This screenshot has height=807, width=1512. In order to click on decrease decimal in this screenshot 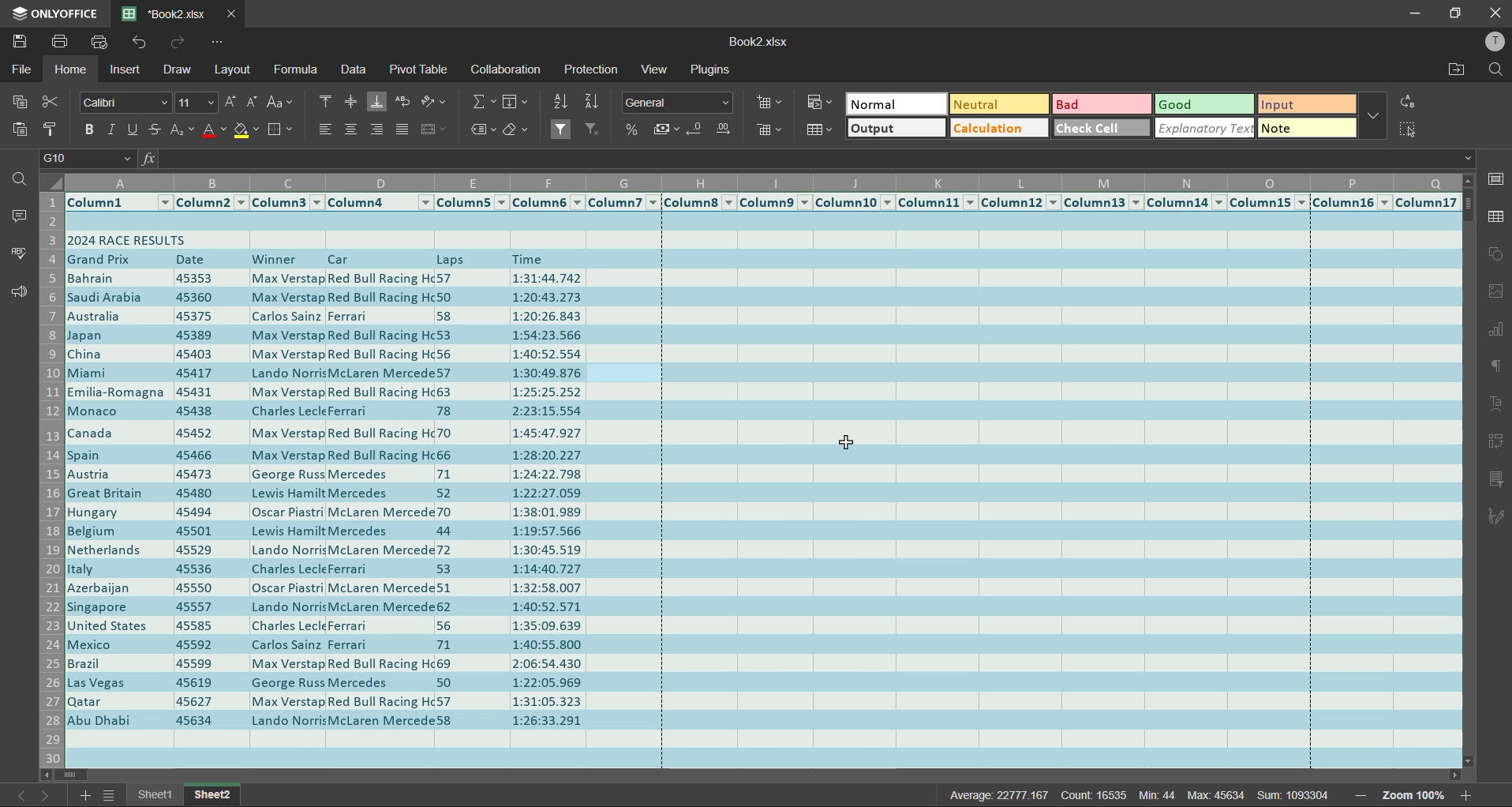, I will do `click(698, 129)`.